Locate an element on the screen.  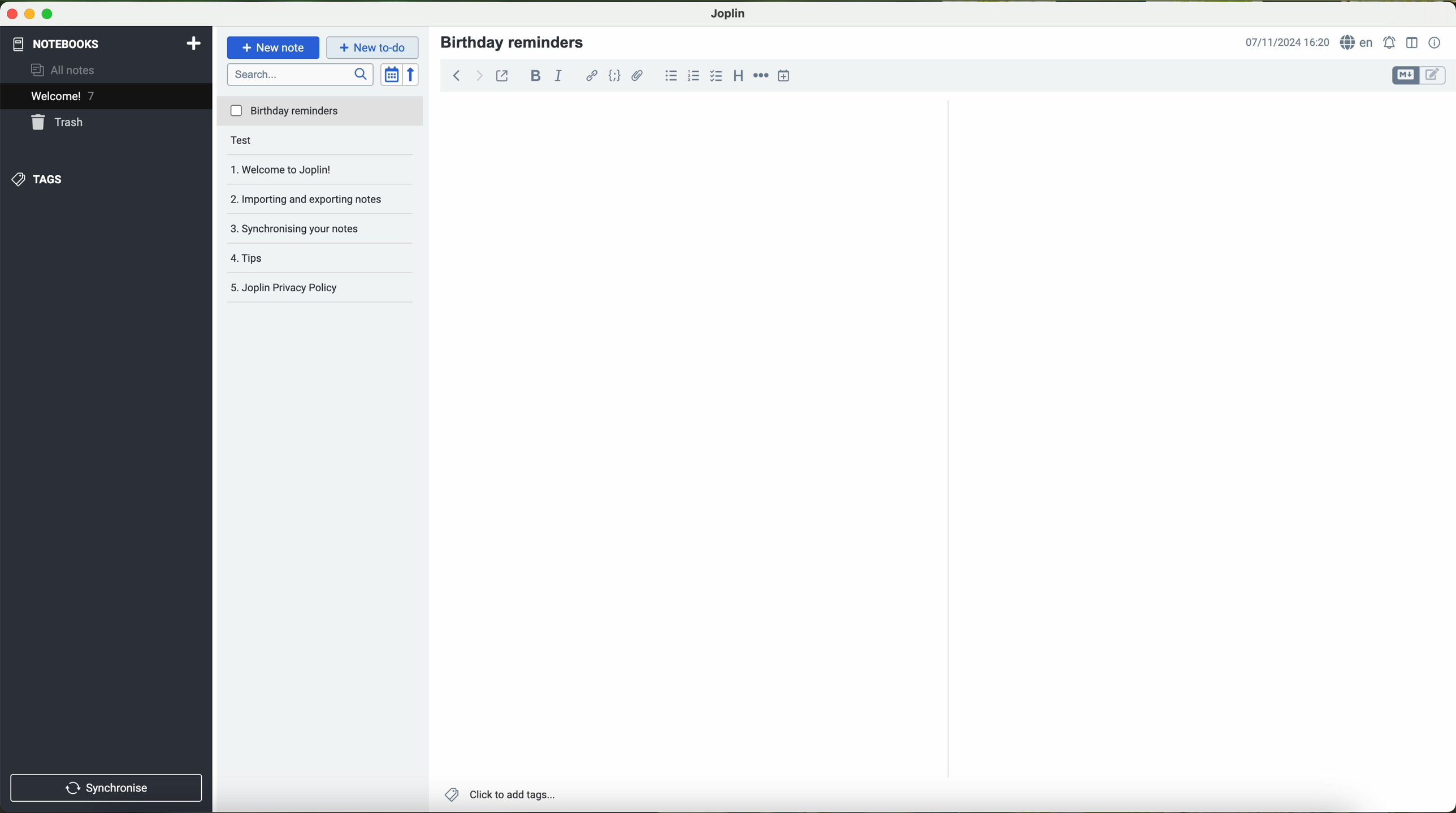
toggle editor layout is located at coordinates (1411, 44).